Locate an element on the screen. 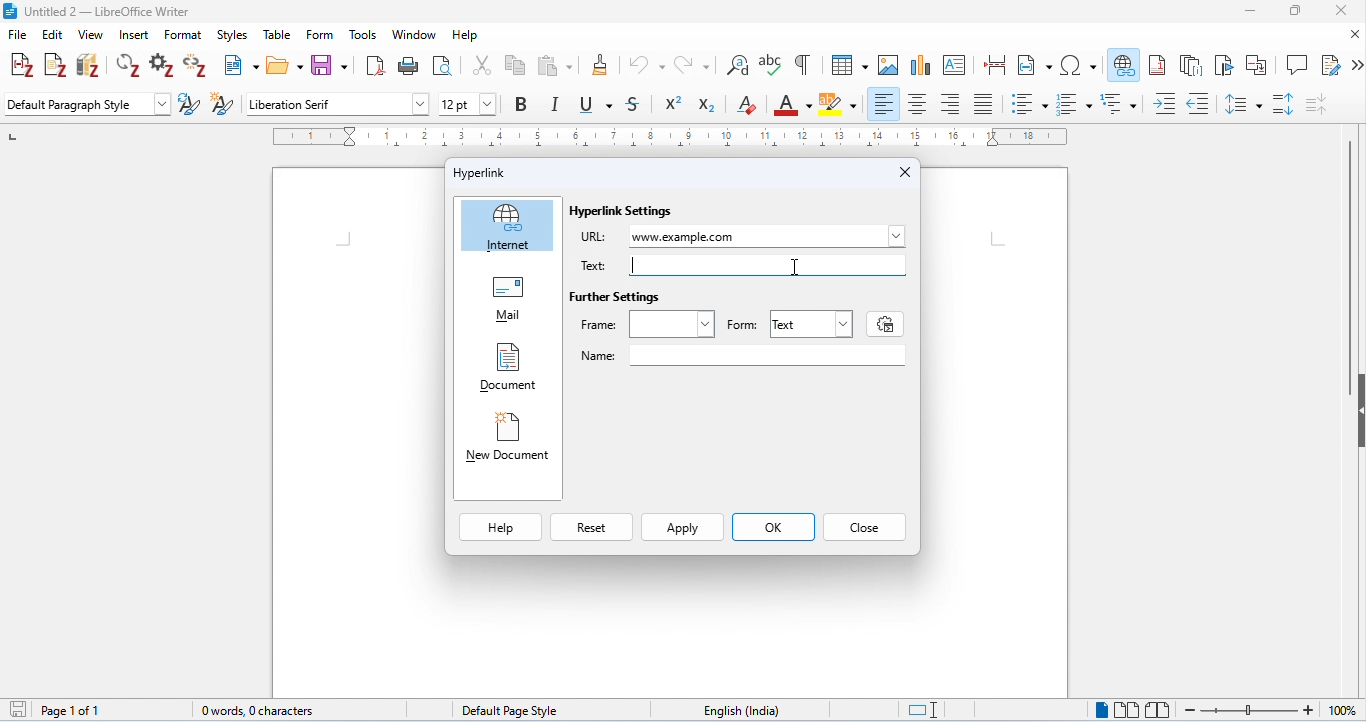 This screenshot has width=1366, height=722. close document is located at coordinates (1354, 35).